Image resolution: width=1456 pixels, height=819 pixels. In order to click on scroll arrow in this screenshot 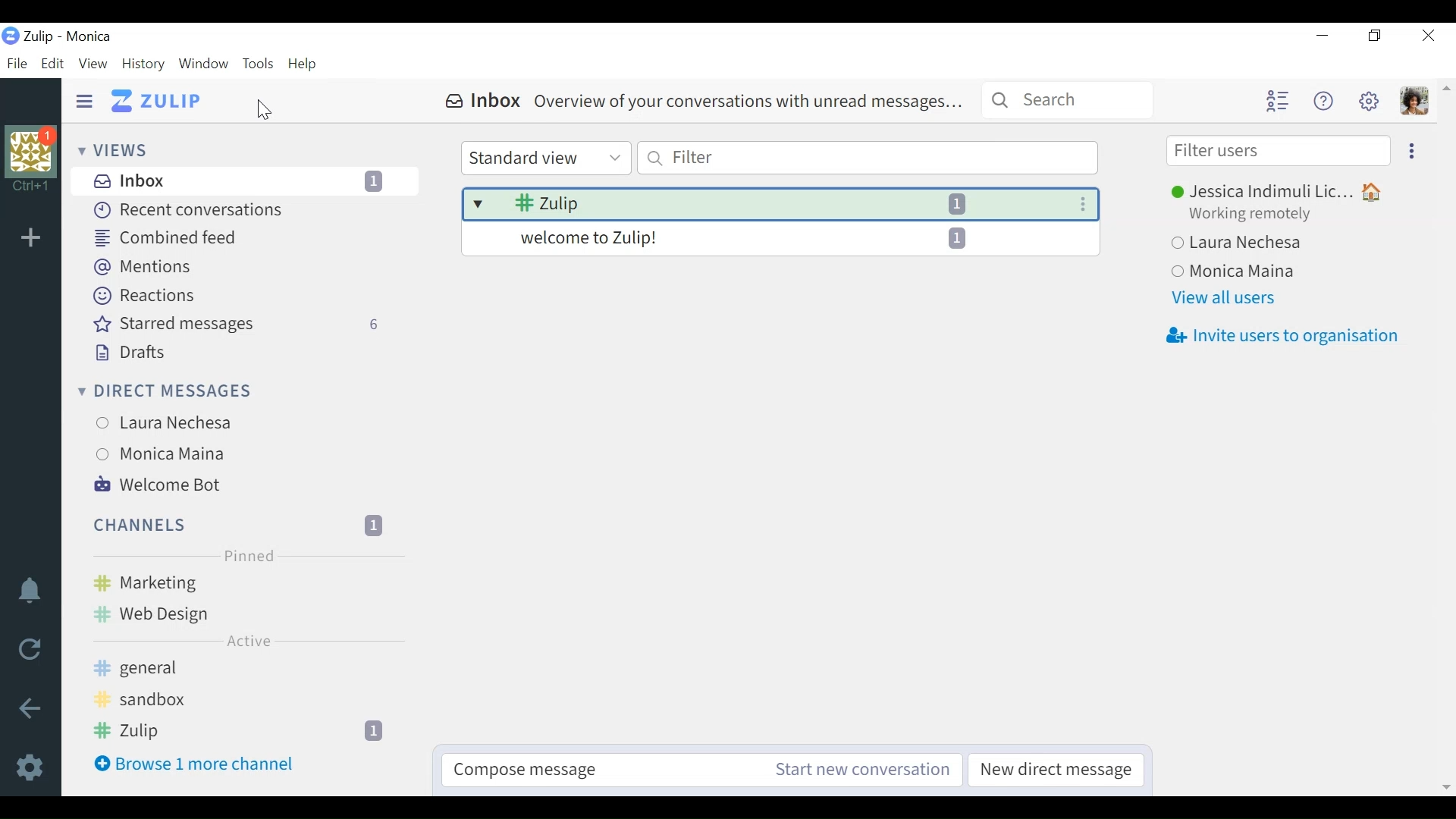, I will do `click(1444, 99)`.